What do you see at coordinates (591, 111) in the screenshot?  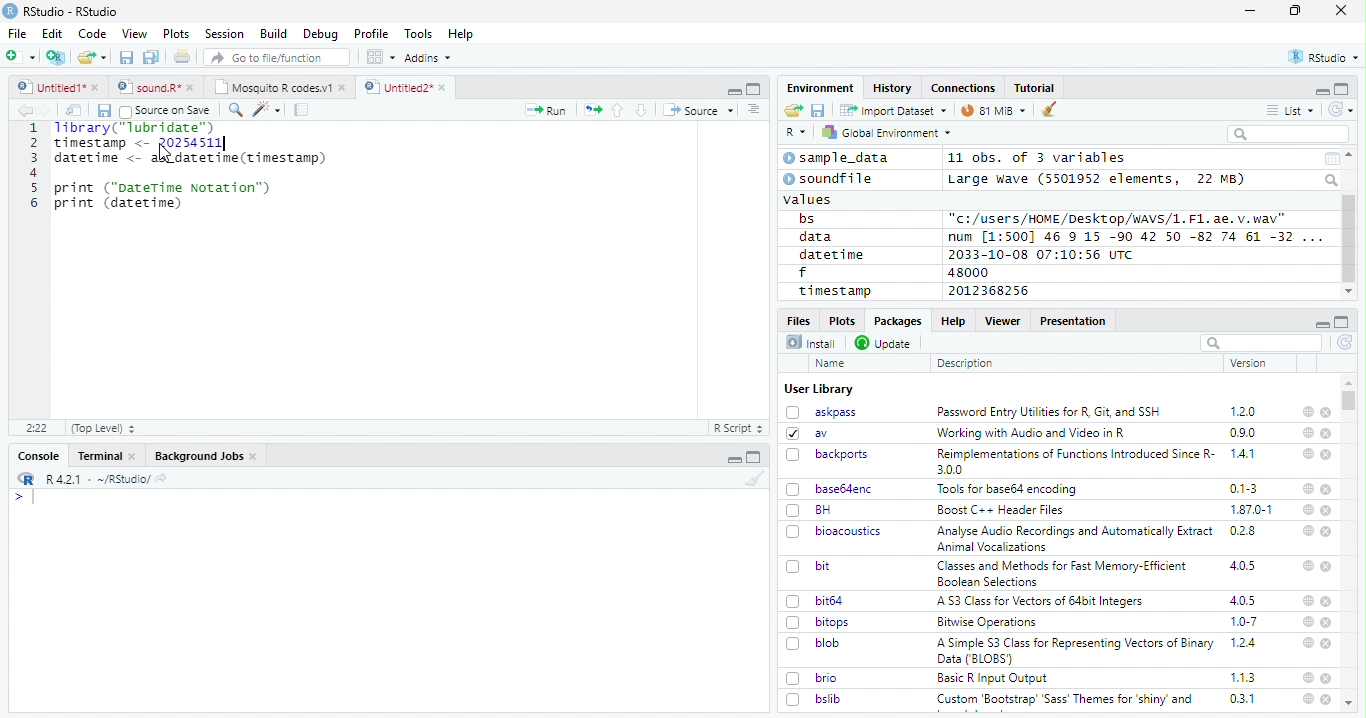 I see `Re-run the previous code region` at bounding box center [591, 111].